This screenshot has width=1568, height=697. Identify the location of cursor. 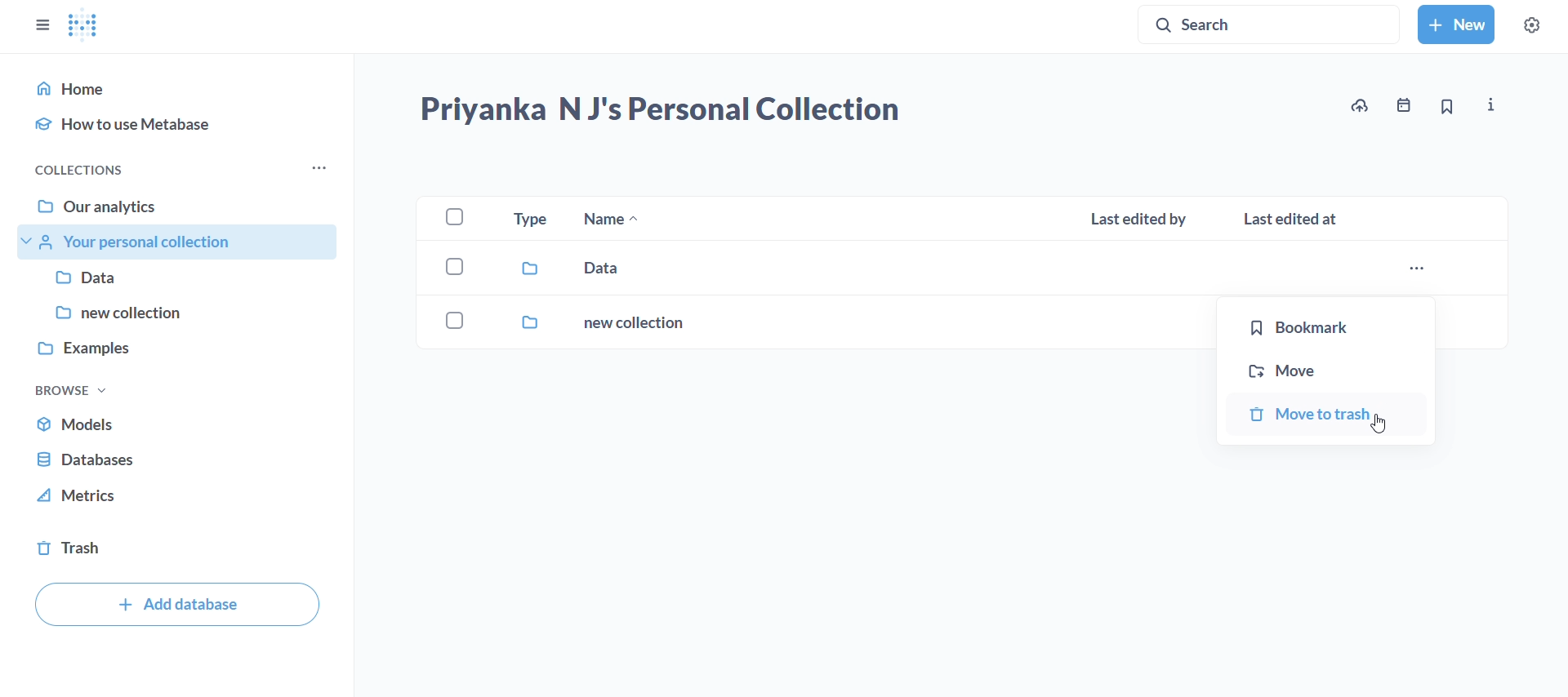
(1385, 422).